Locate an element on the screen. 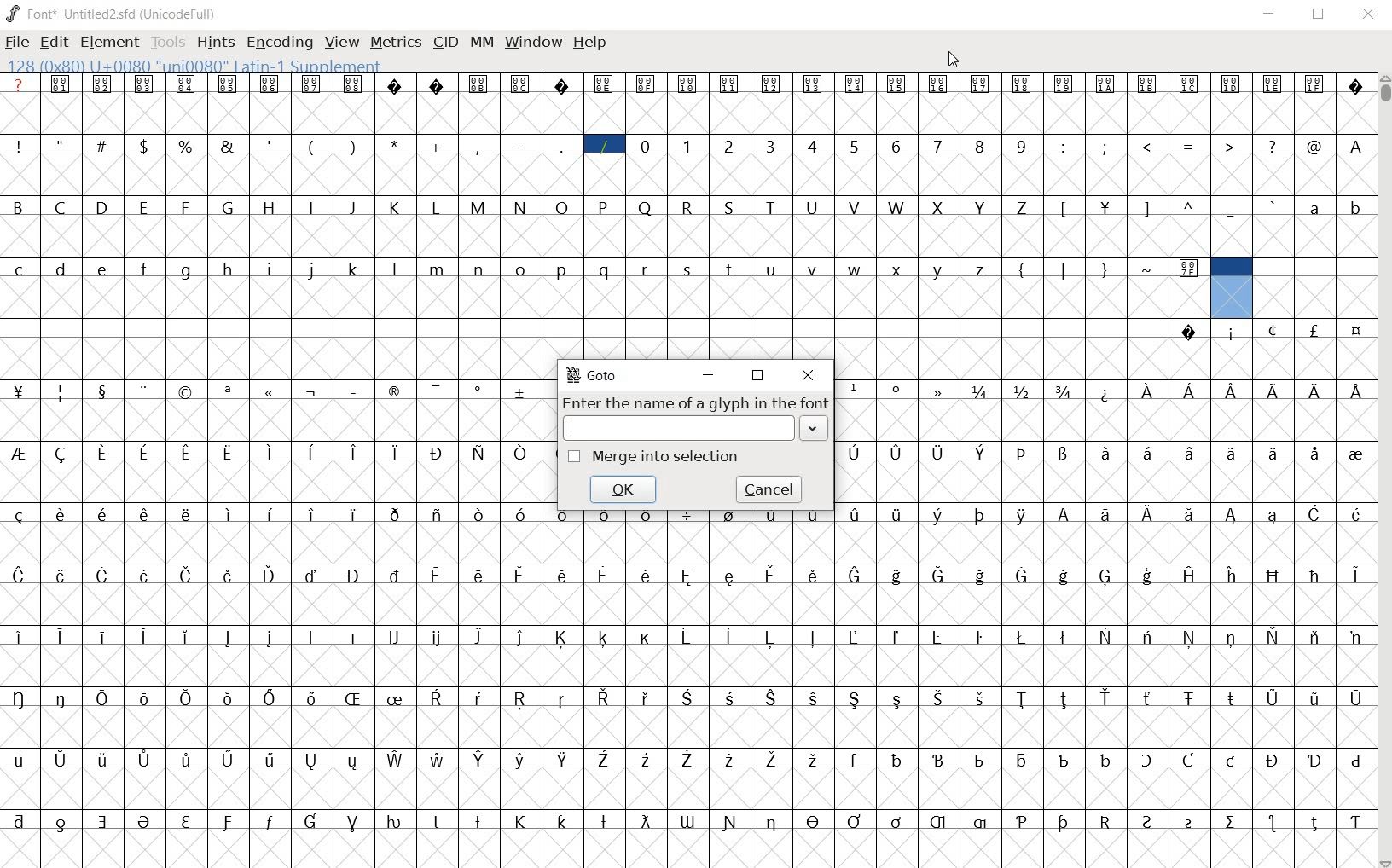  Symbol is located at coordinates (566, 760).